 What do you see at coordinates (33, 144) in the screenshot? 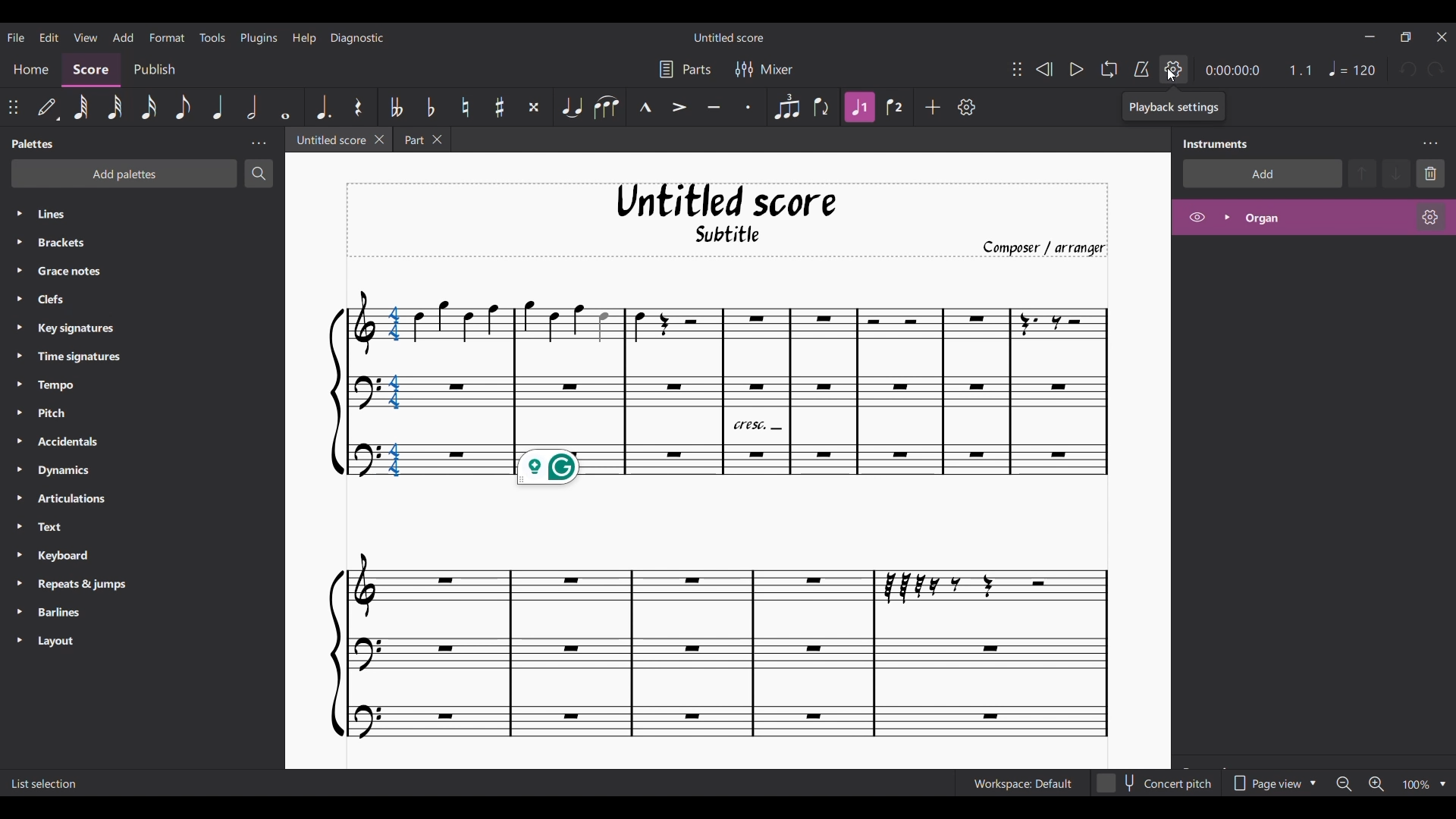
I see `Palette title` at bounding box center [33, 144].